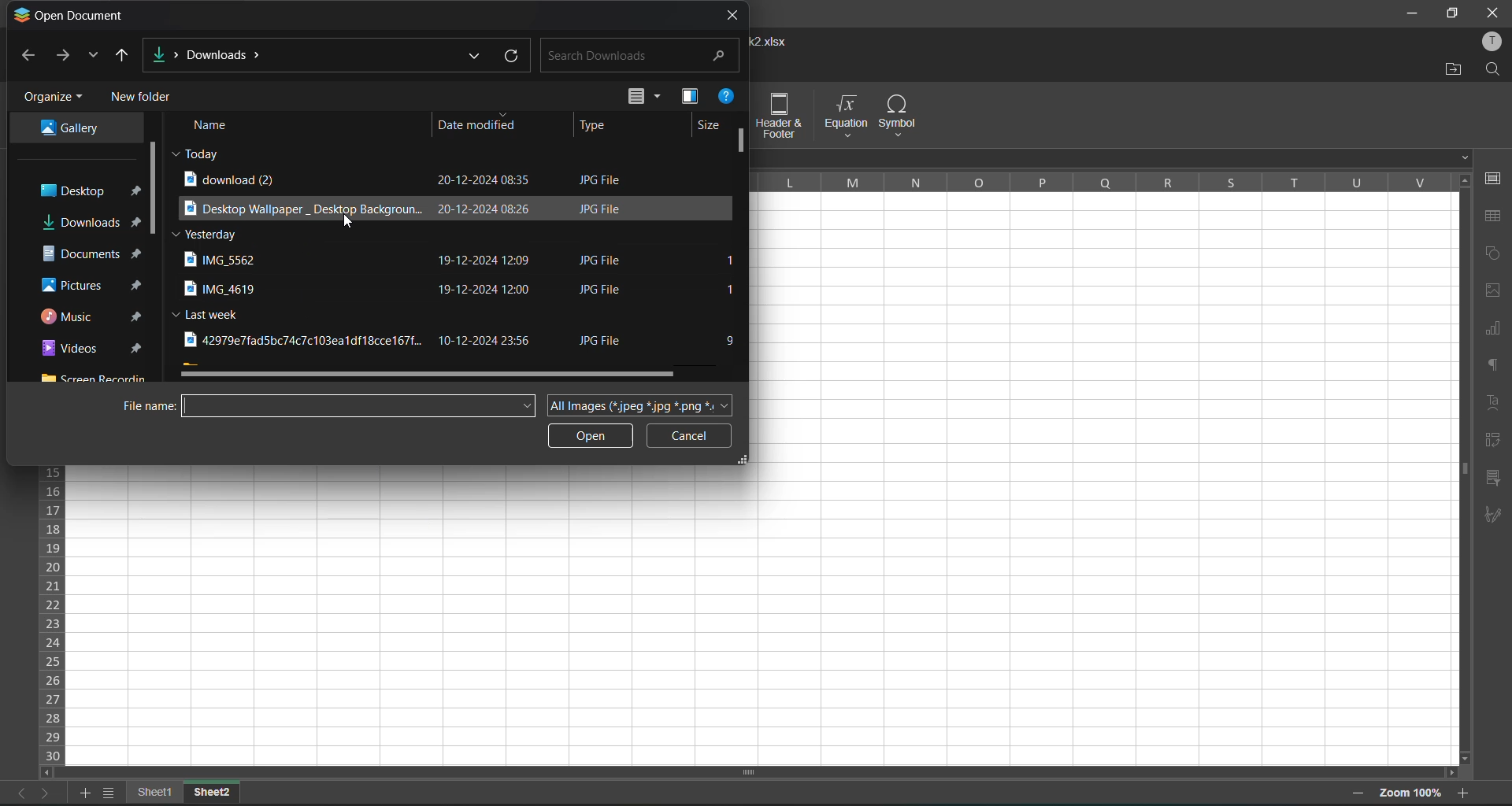 This screenshot has width=1512, height=806. I want to click on vertical scroll bar, so click(156, 190).